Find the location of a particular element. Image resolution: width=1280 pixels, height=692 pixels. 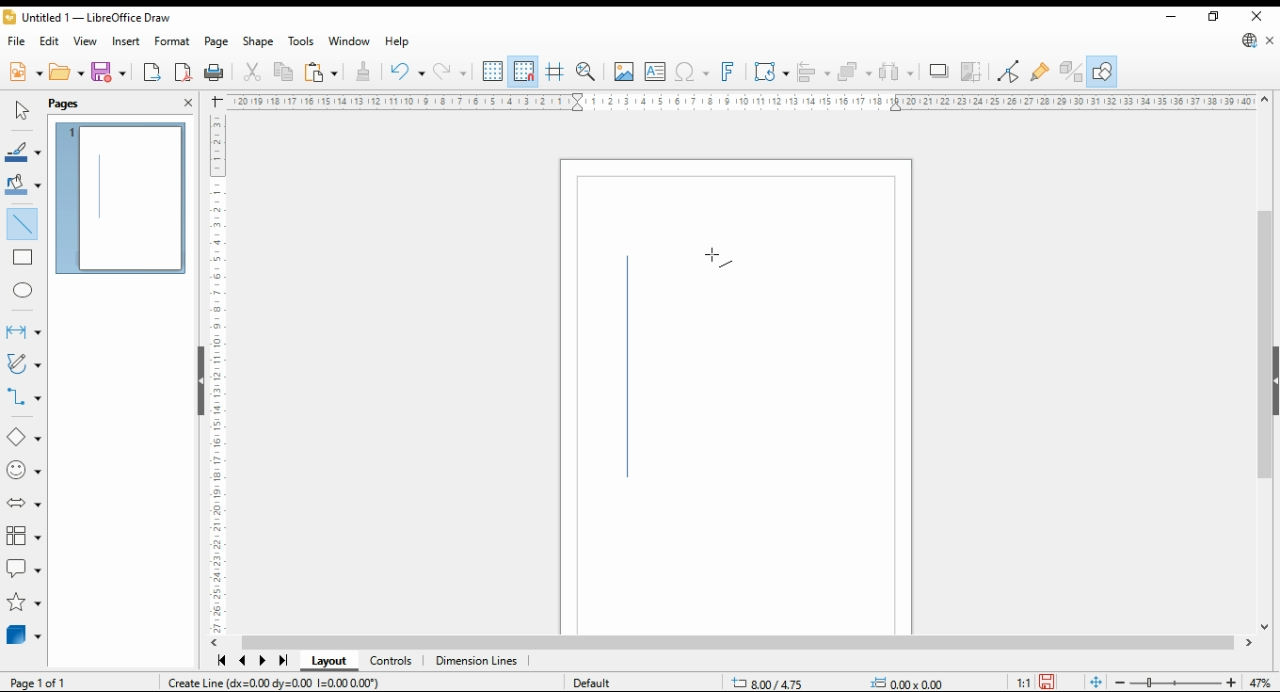

clone formatting is located at coordinates (362, 70).